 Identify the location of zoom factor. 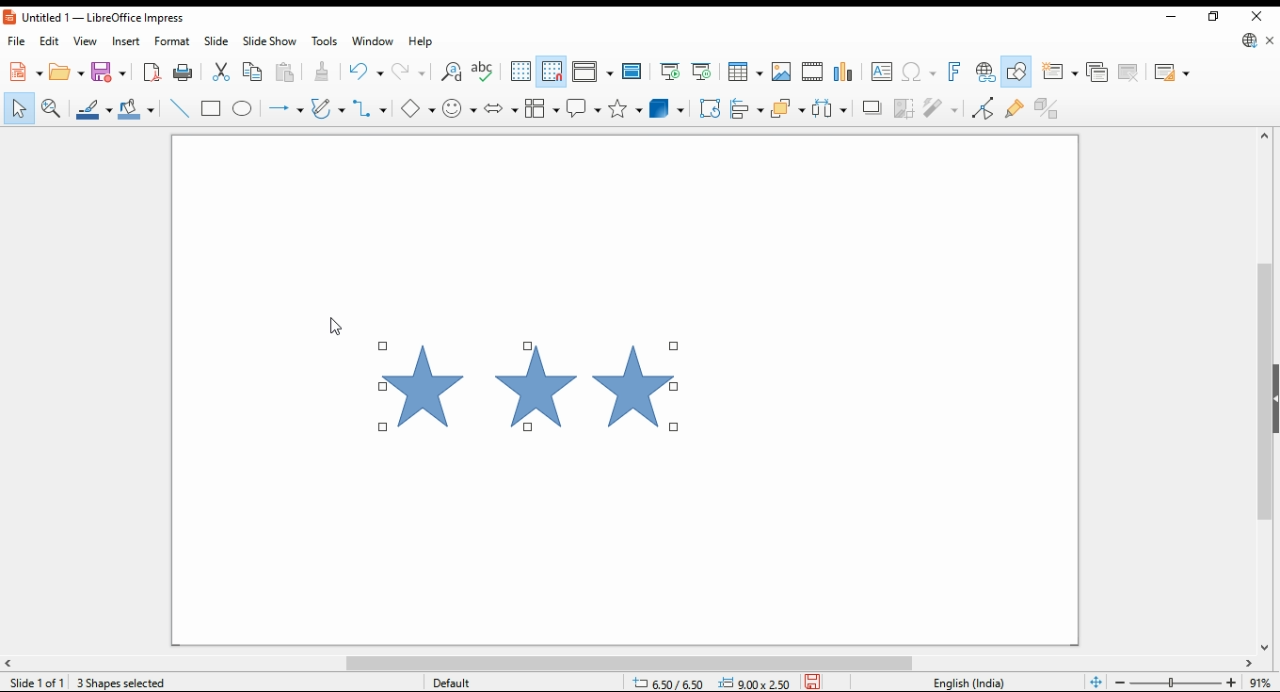
(1261, 682).